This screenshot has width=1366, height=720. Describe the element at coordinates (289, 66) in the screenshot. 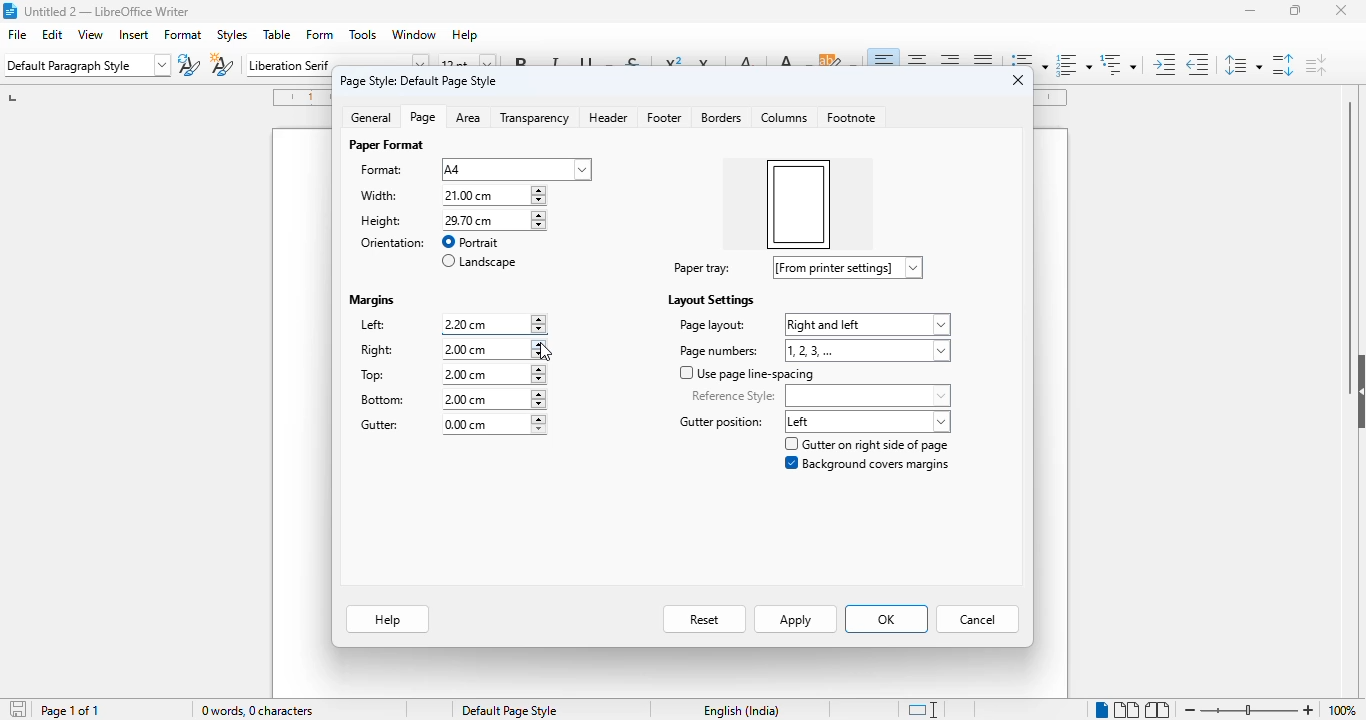

I see `font name` at that location.